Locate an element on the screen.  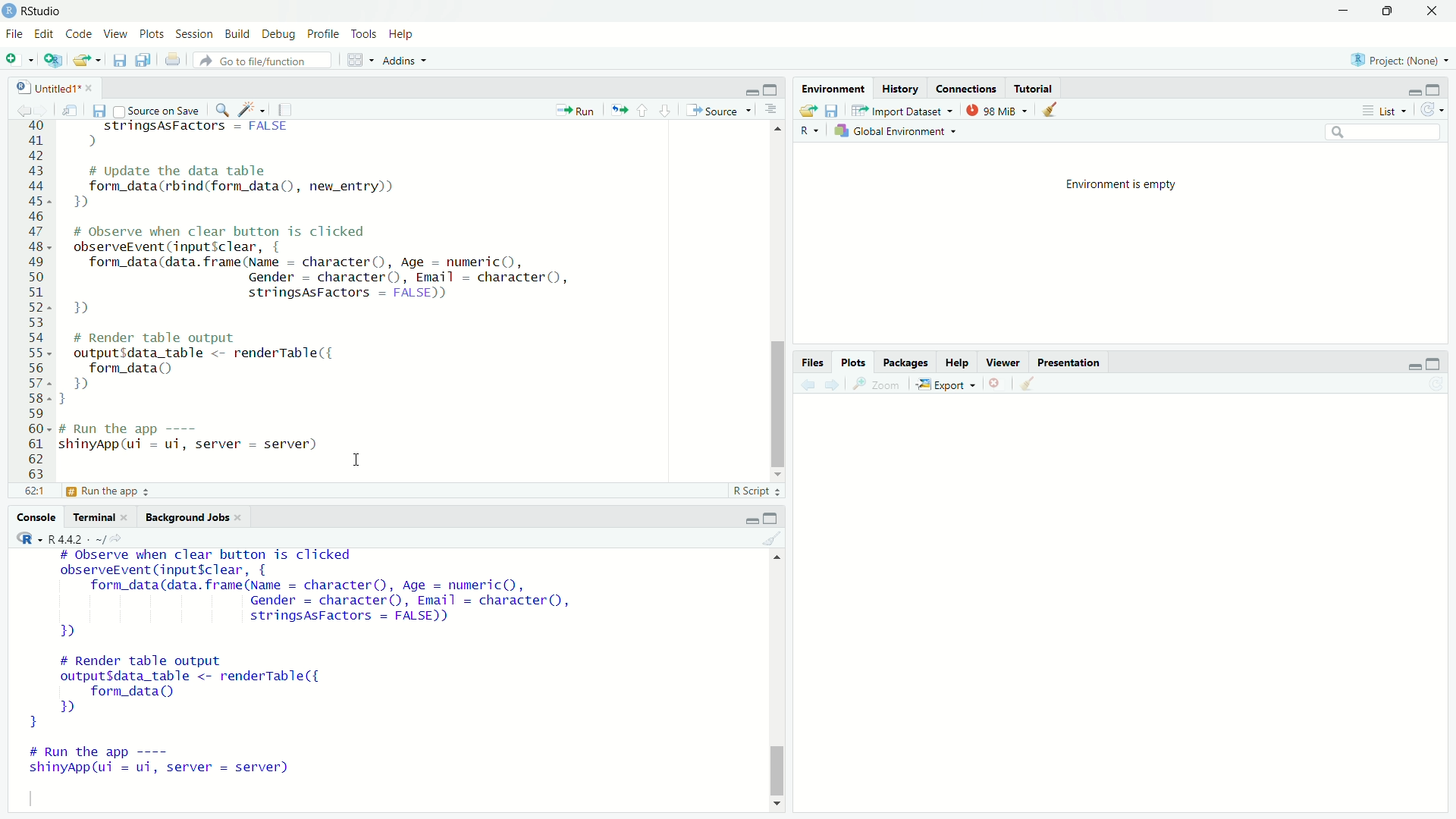
98 MiB is located at coordinates (999, 110).